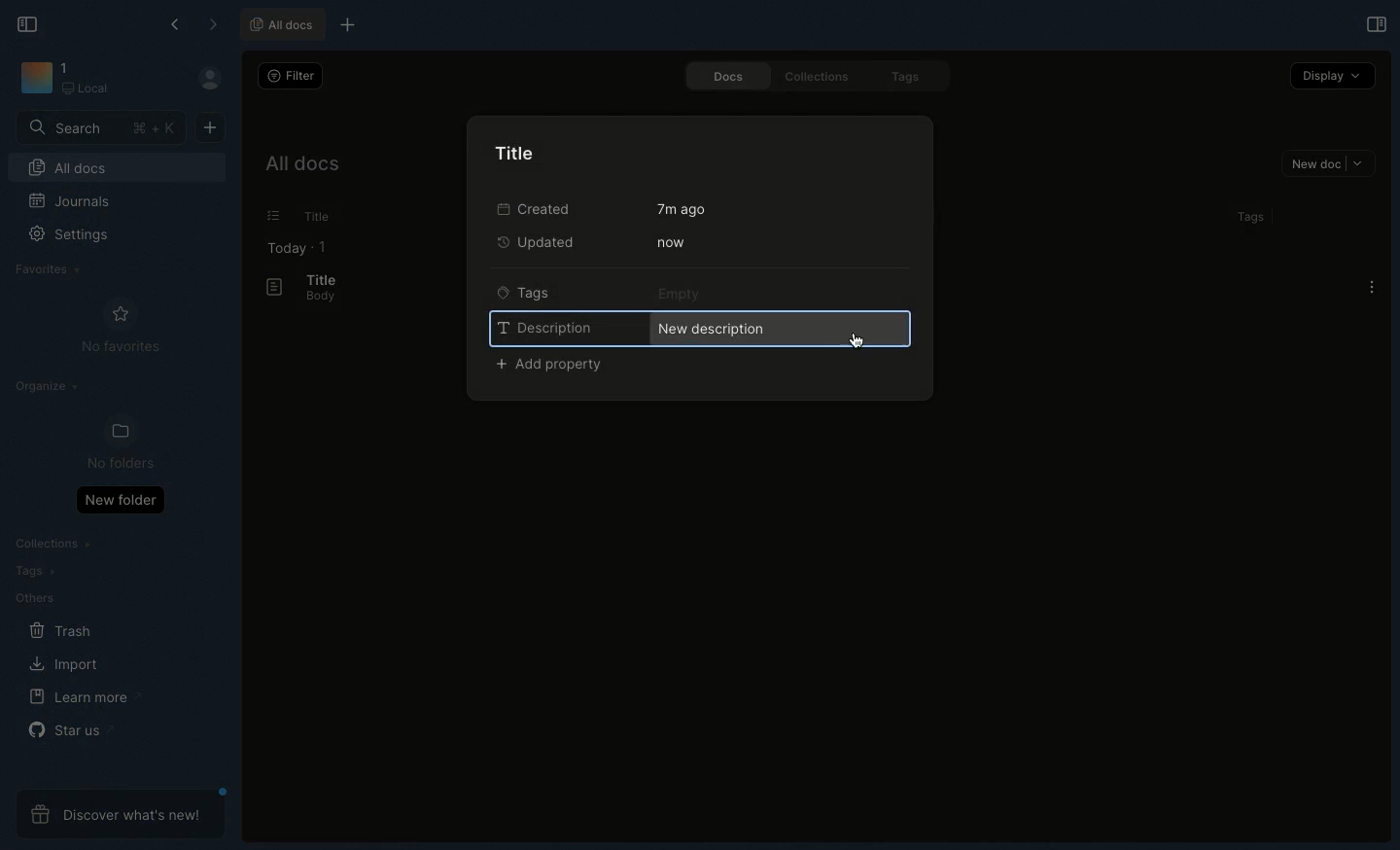  Describe the element at coordinates (524, 291) in the screenshot. I see `Tags` at that location.